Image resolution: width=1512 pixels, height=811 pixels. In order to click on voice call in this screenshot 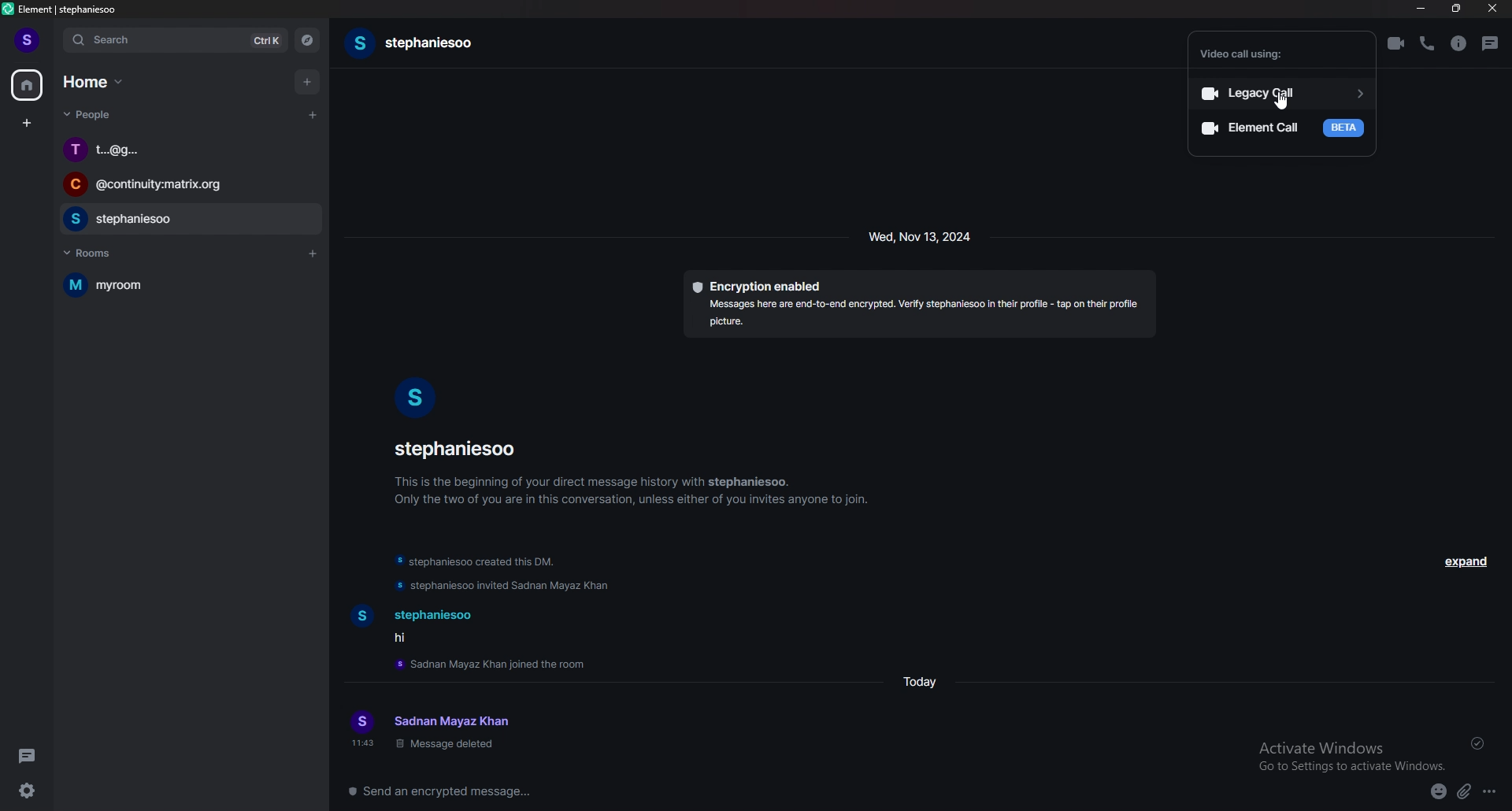, I will do `click(1427, 43)`.